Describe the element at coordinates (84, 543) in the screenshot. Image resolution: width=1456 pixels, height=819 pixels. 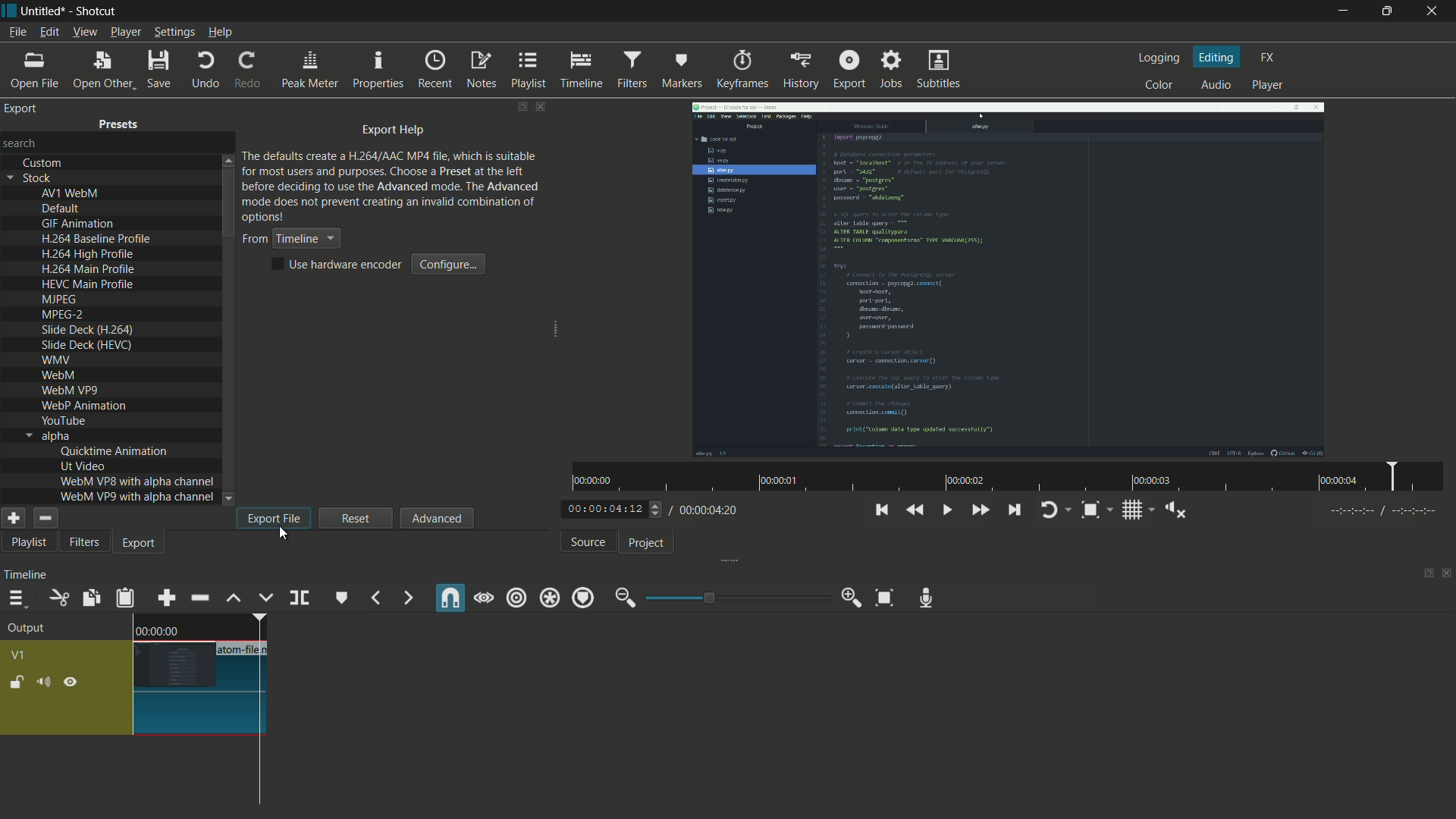
I see `filters` at that location.